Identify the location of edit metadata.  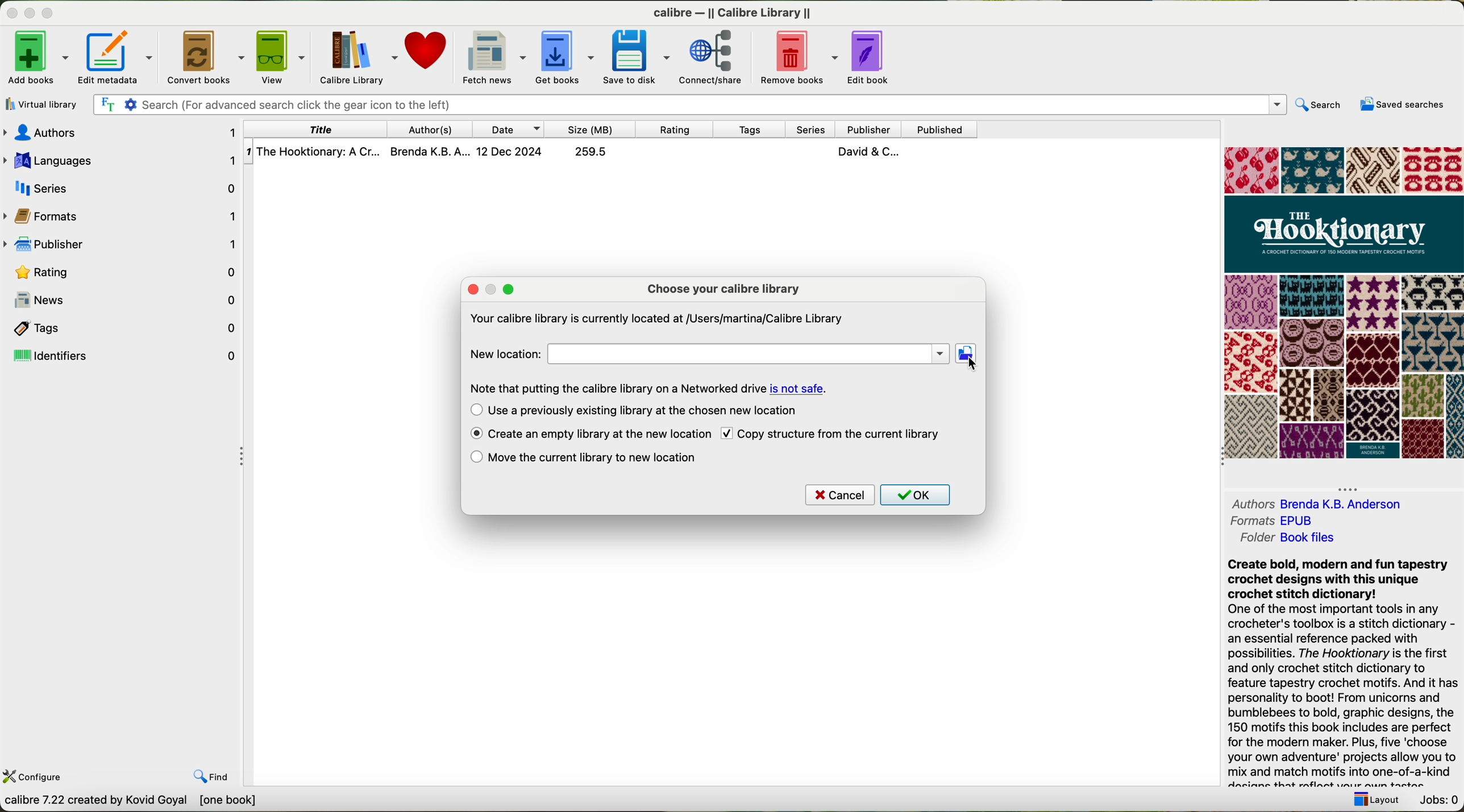
(116, 57).